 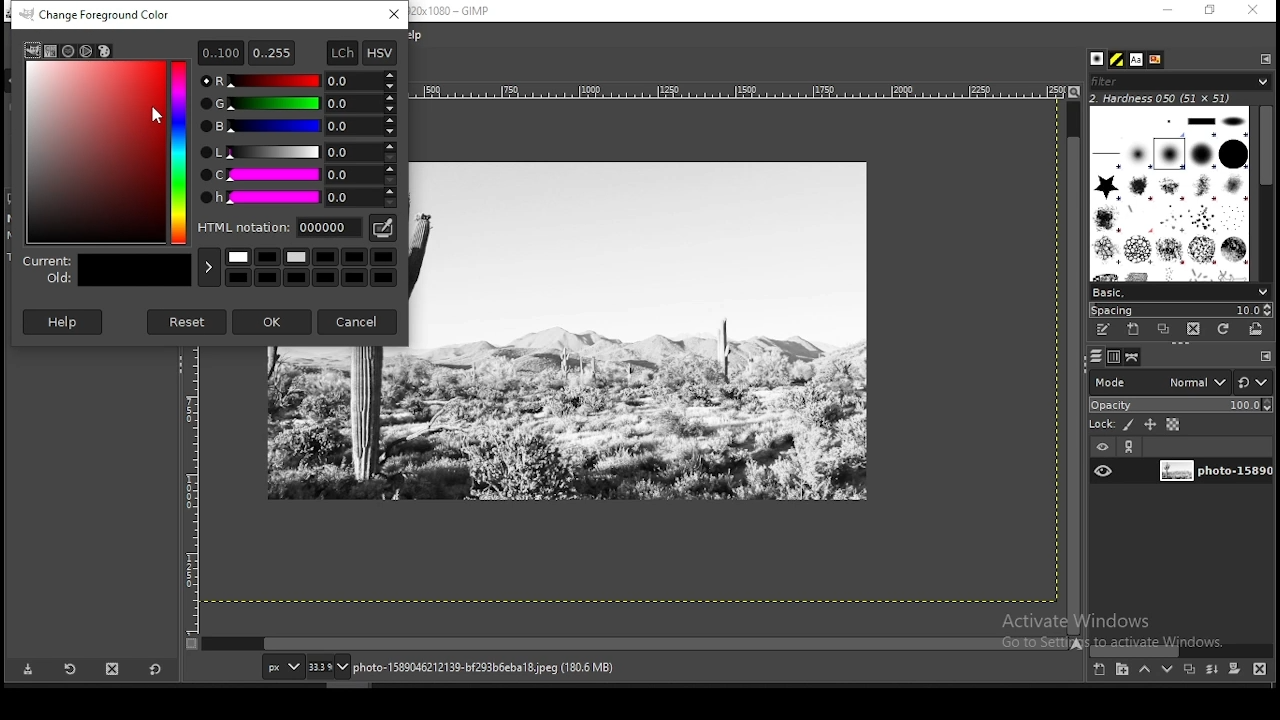 What do you see at coordinates (108, 151) in the screenshot?
I see `color map` at bounding box center [108, 151].